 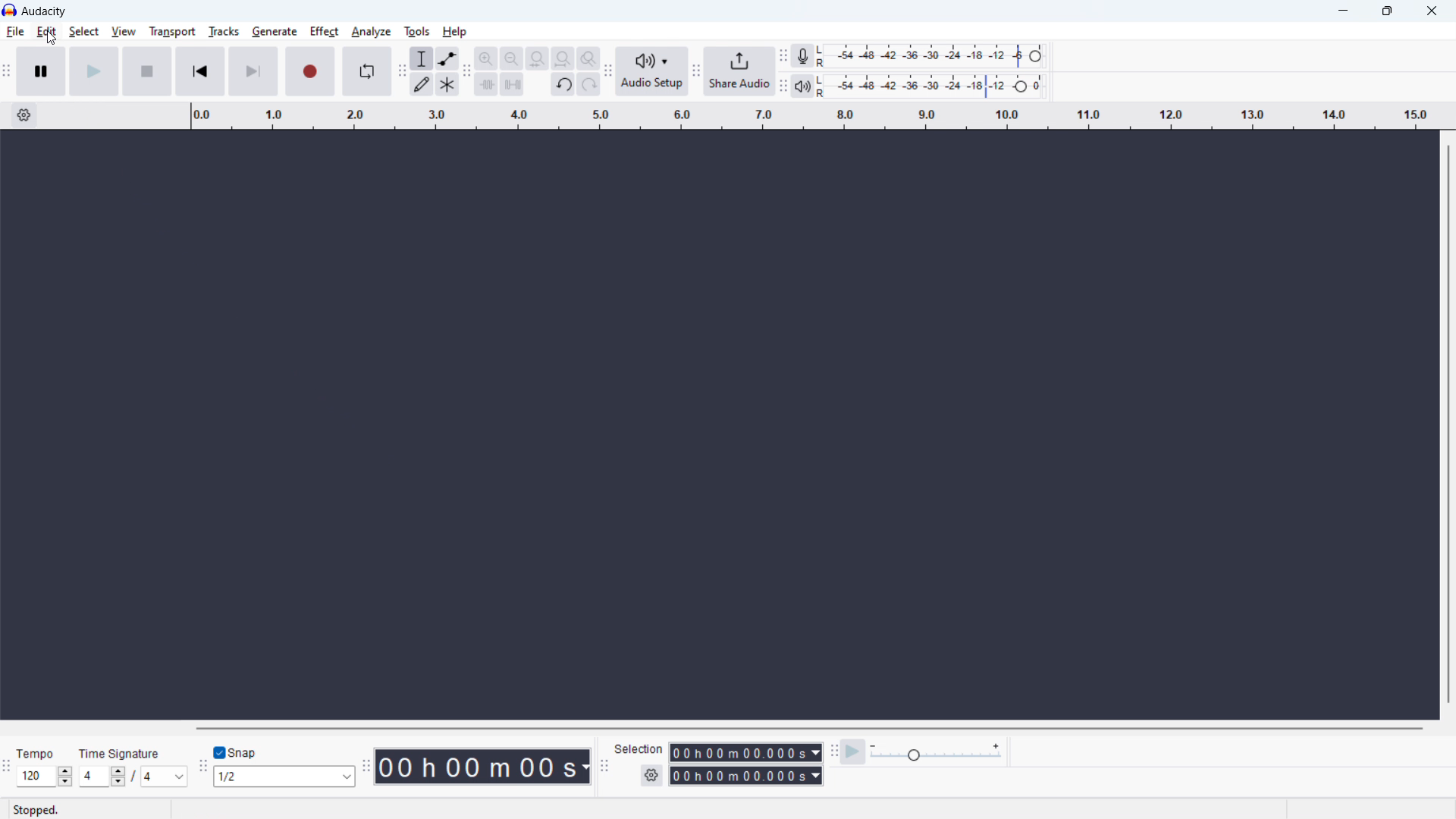 I want to click on recording meter, so click(x=802, y=55).